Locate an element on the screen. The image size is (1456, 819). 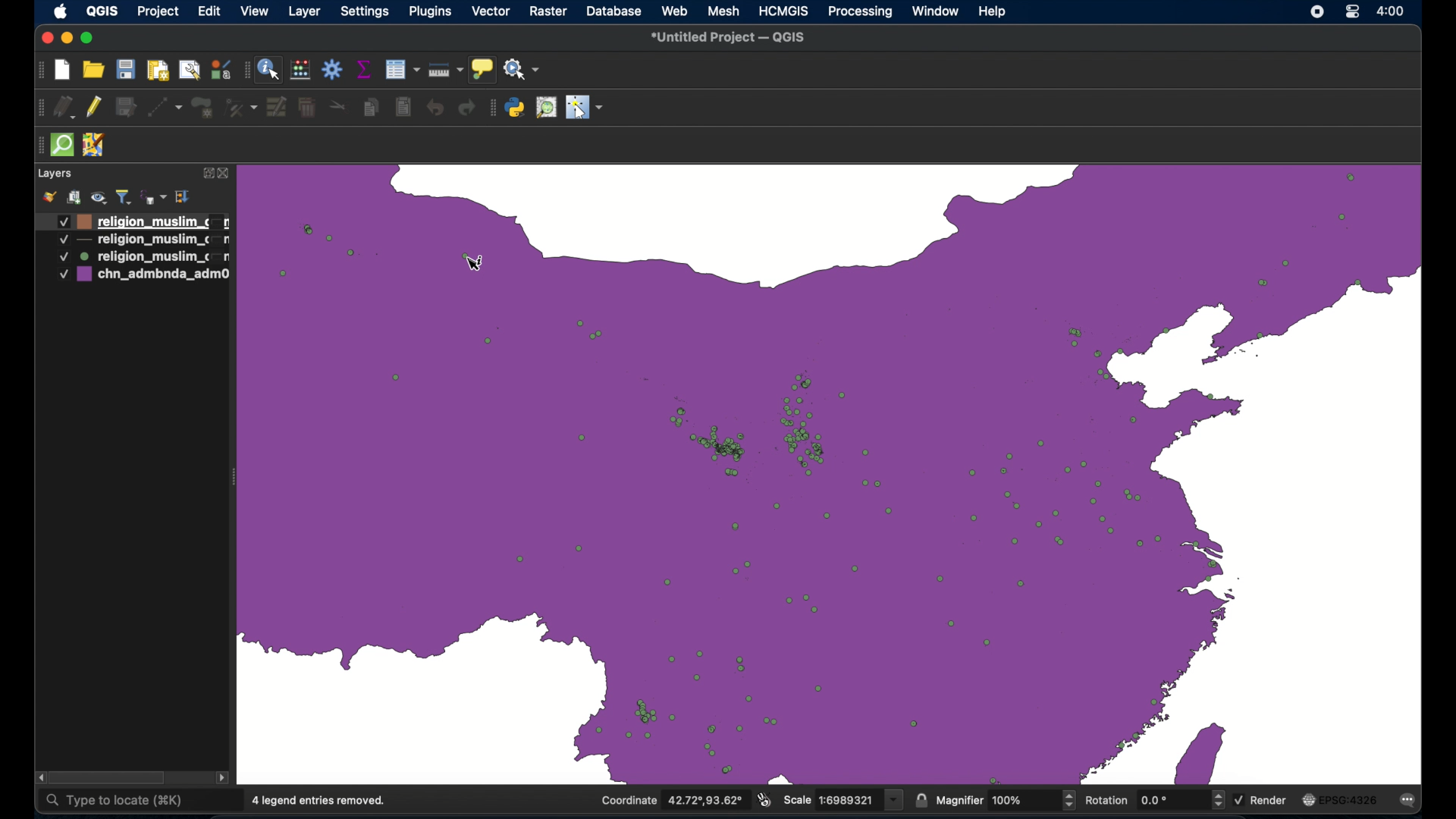
python console is located at coordinates (516, 108).